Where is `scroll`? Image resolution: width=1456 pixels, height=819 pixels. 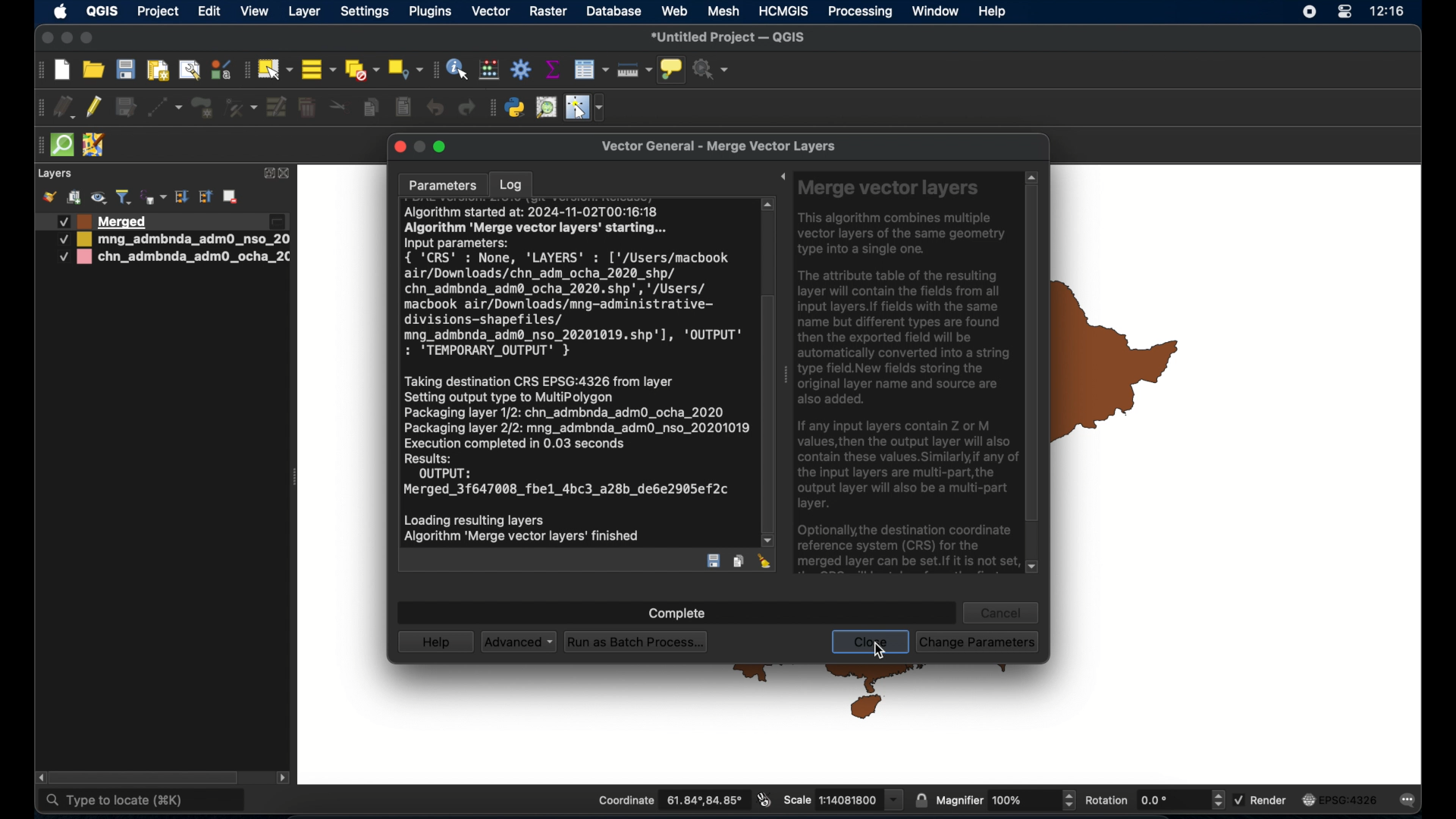
scroll is located at coordinates (764, 392).